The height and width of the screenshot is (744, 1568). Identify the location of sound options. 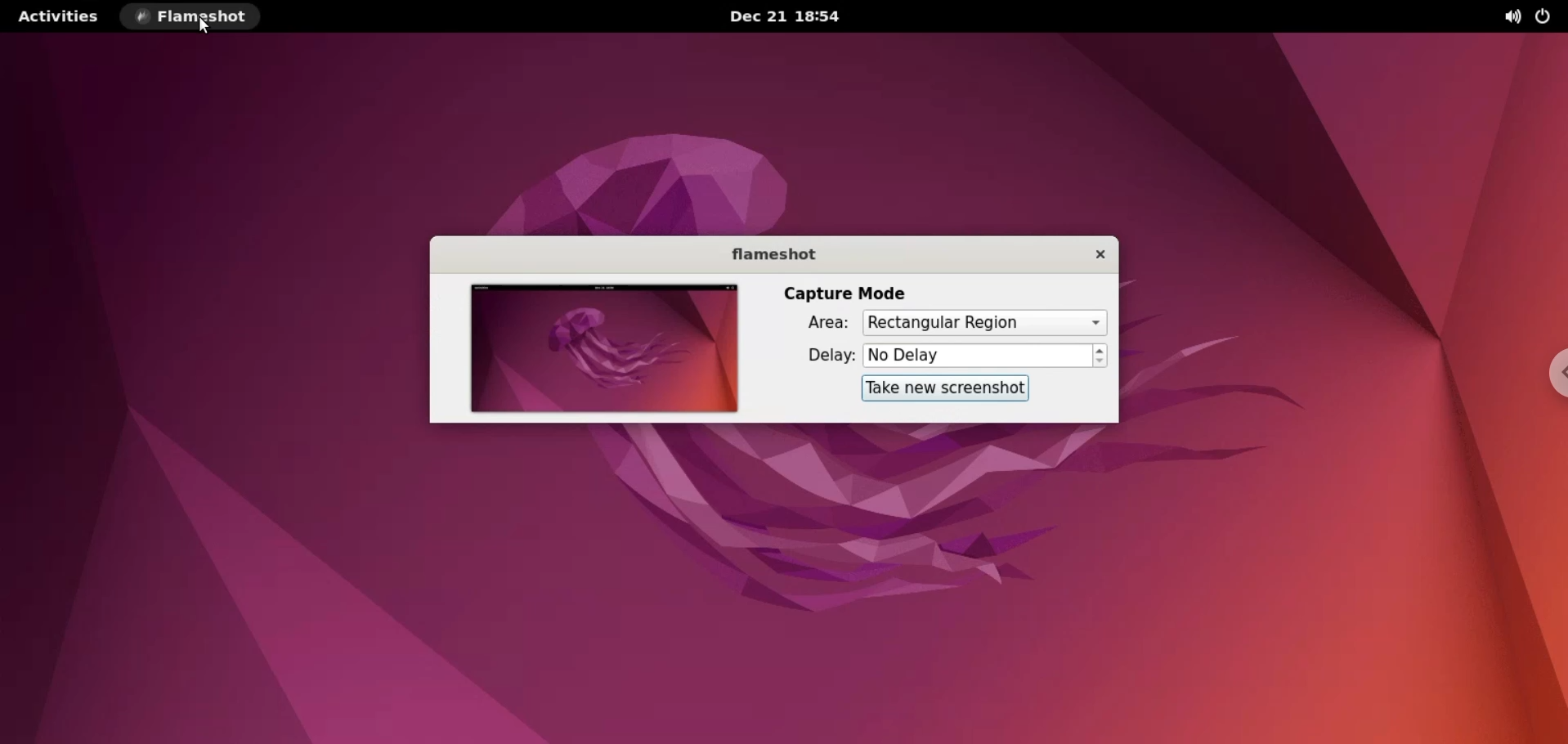
(1515, 17).